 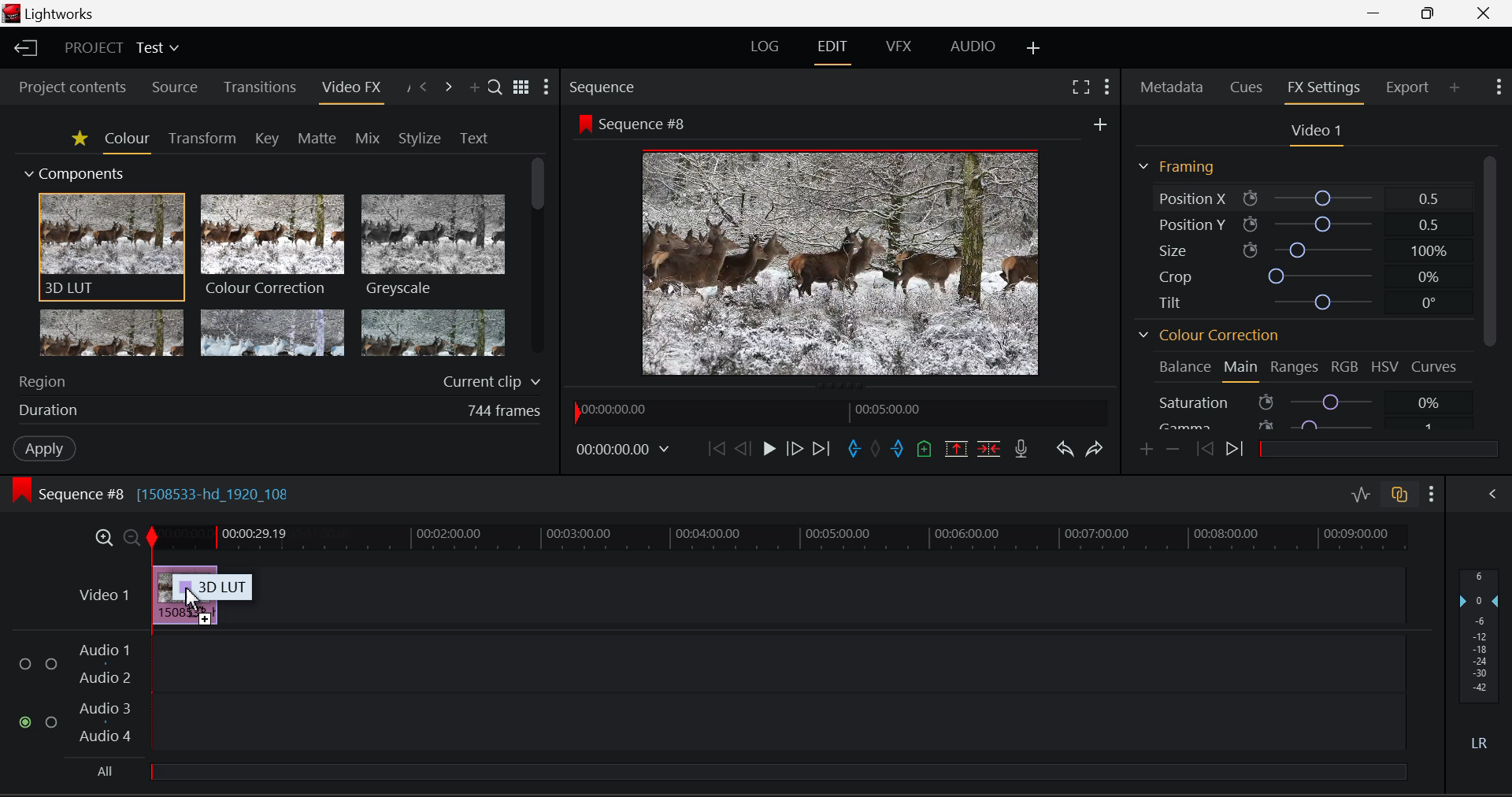 What do you see at coordinates (1361, 493) in the screenshot?
I see `Toggle audio levels editing` at bounding box center [1361, 493].